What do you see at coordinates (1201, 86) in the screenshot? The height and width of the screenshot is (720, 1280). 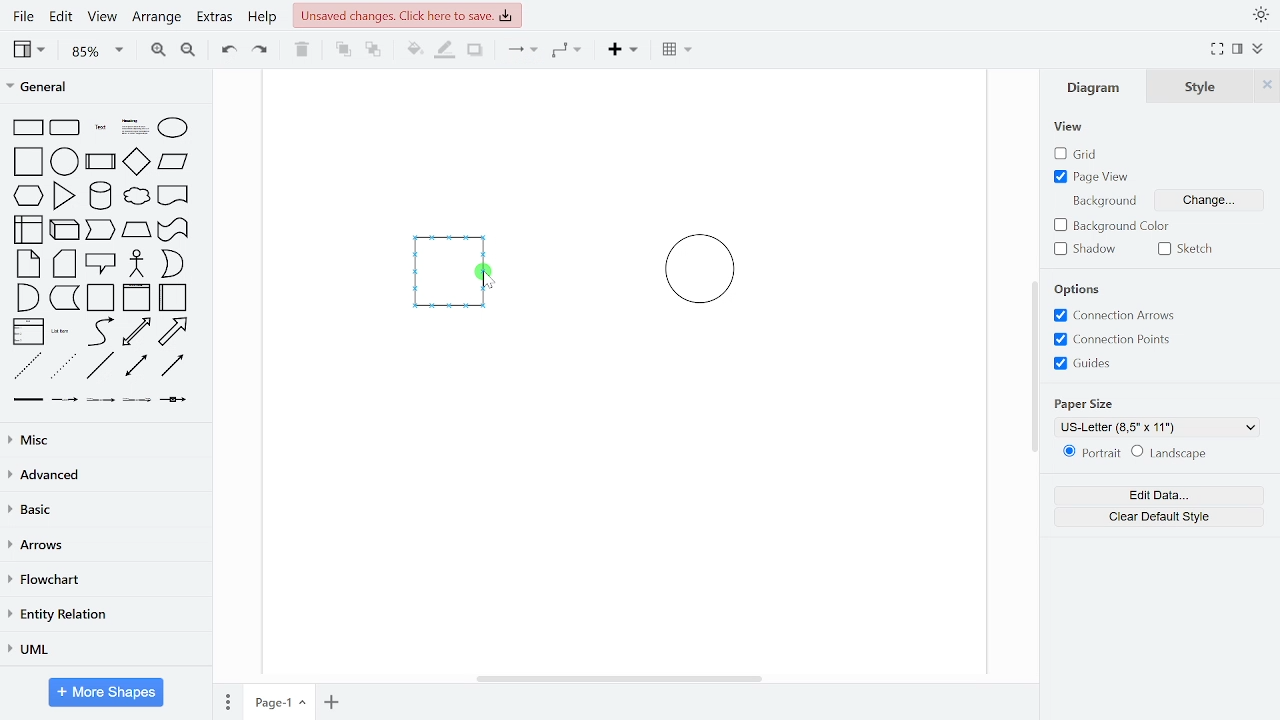 I see `style` at bounding box center [1201, 86].